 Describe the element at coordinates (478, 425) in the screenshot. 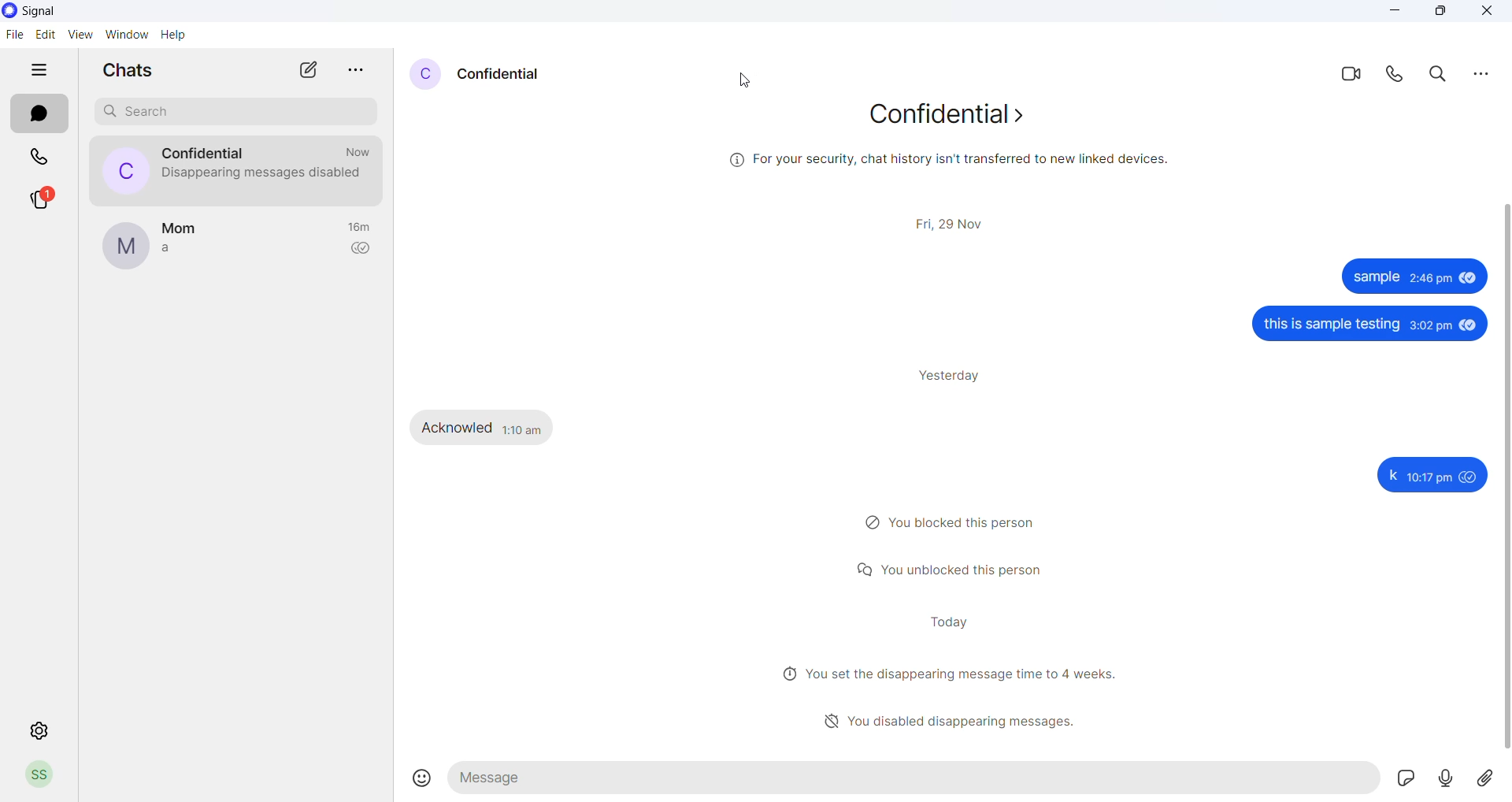

I see `` at that location.